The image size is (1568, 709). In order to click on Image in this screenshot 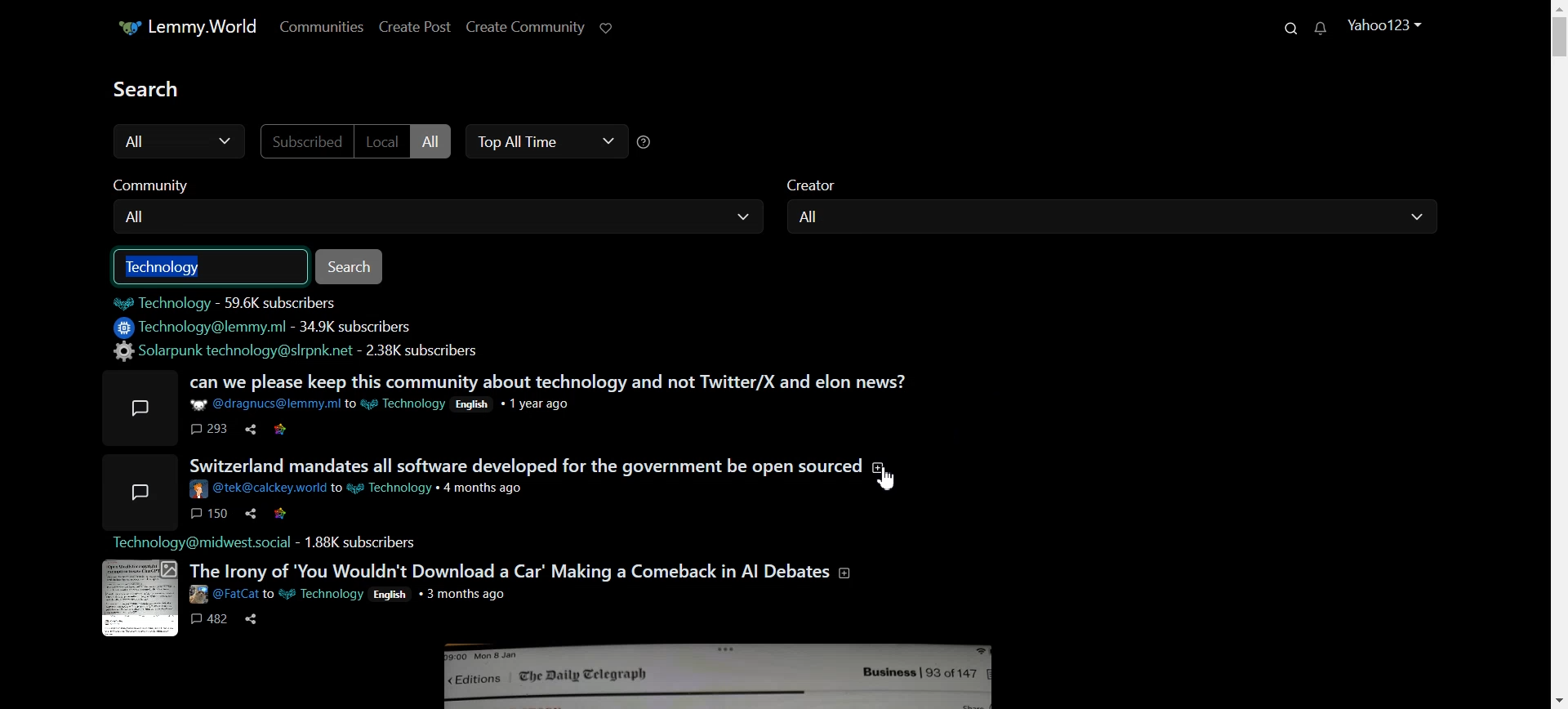, I will do `click(717, 672)`.